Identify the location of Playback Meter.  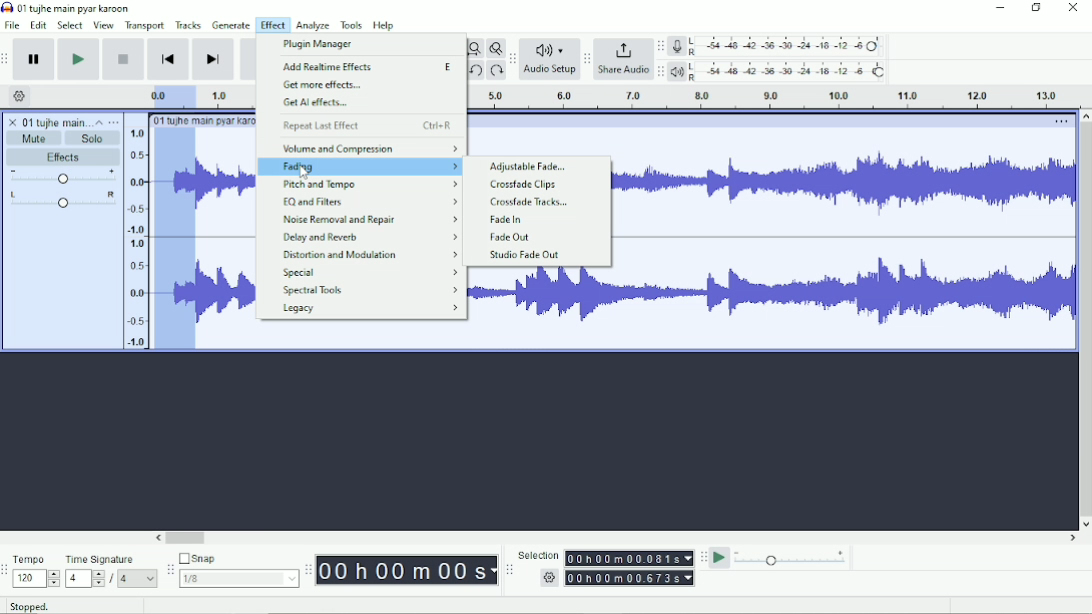
(779, 71).